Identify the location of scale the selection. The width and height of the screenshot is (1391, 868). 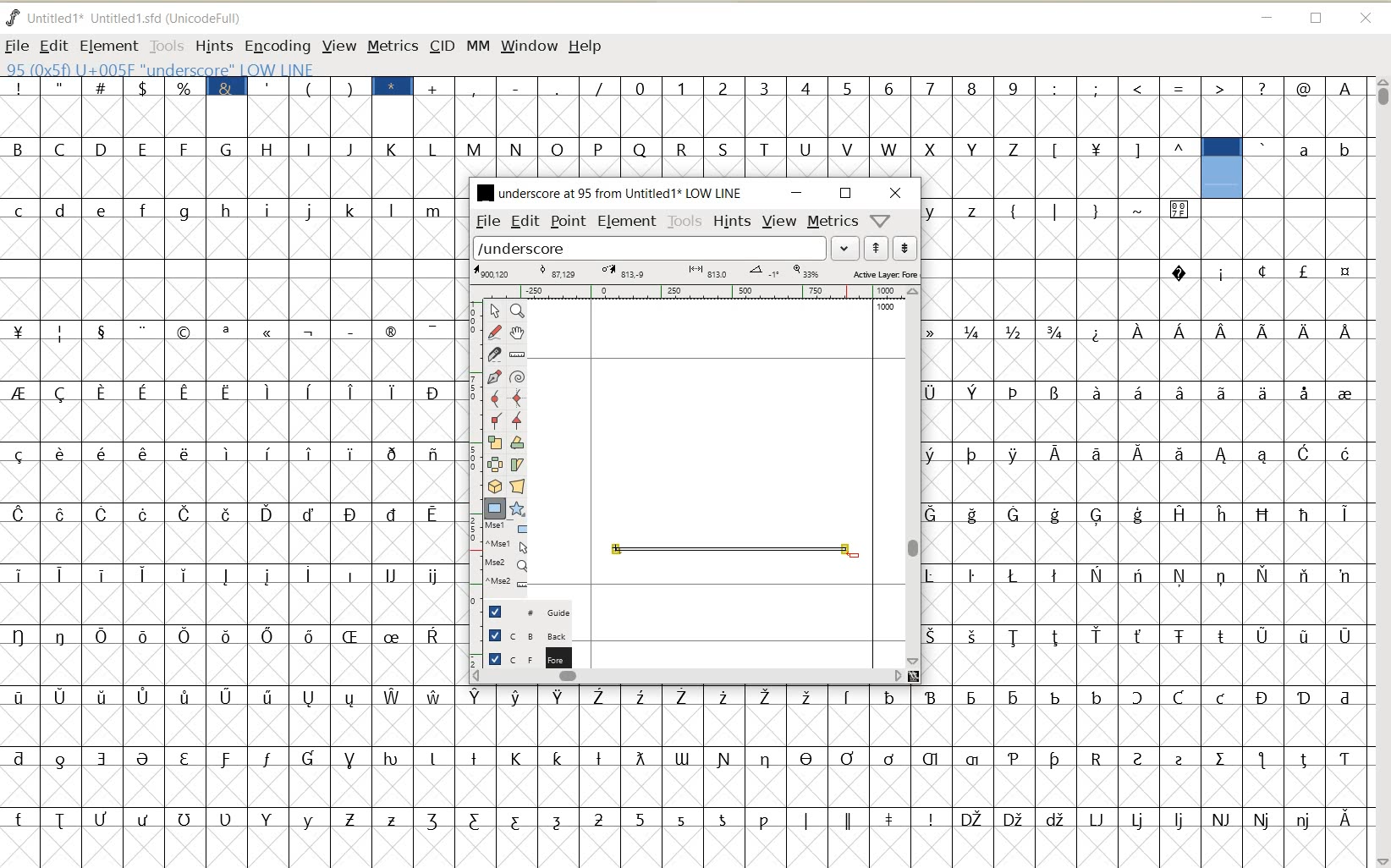
(493, 442).